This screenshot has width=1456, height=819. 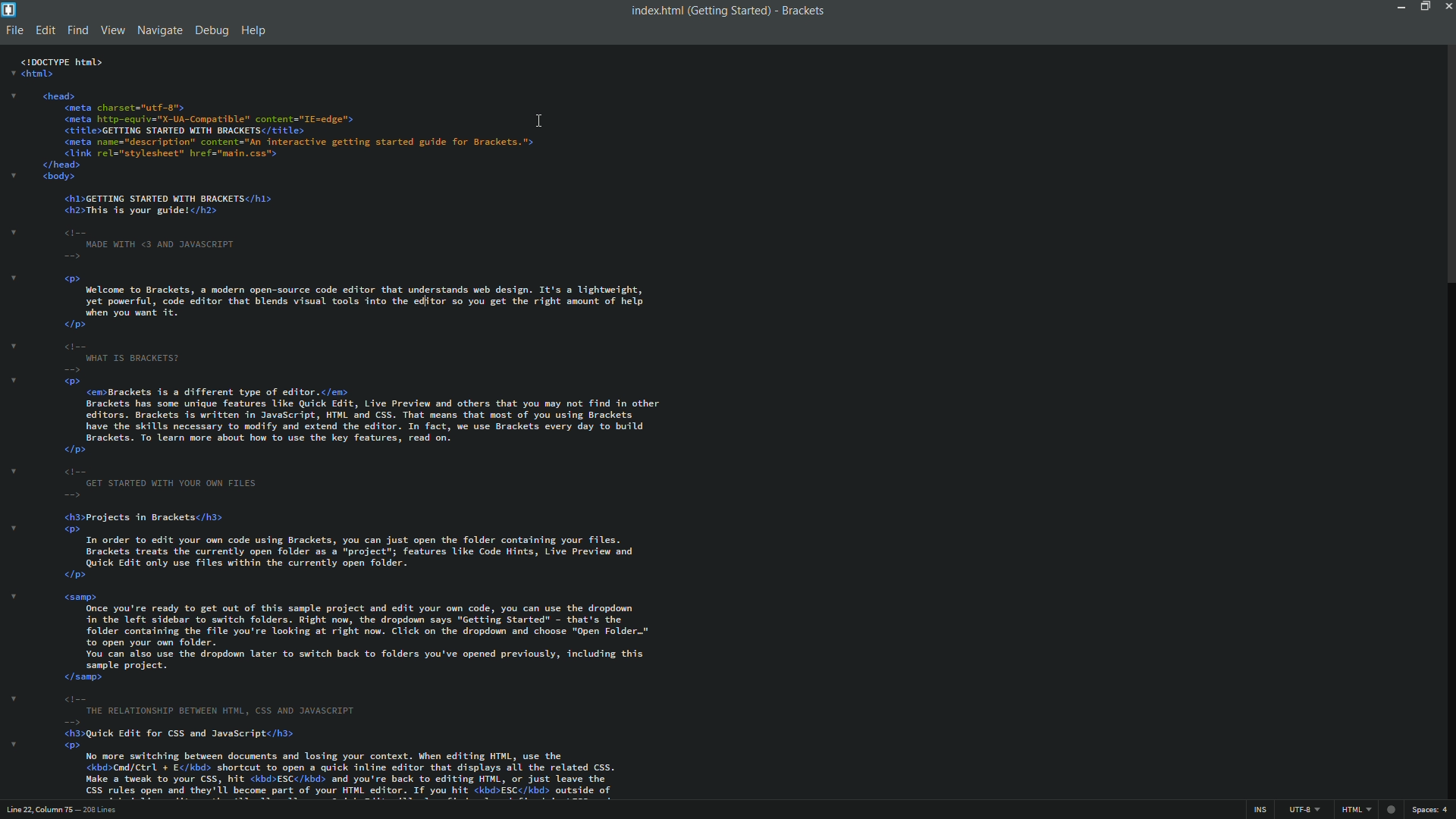 I want to click on edit, so click(x=45, y=30).